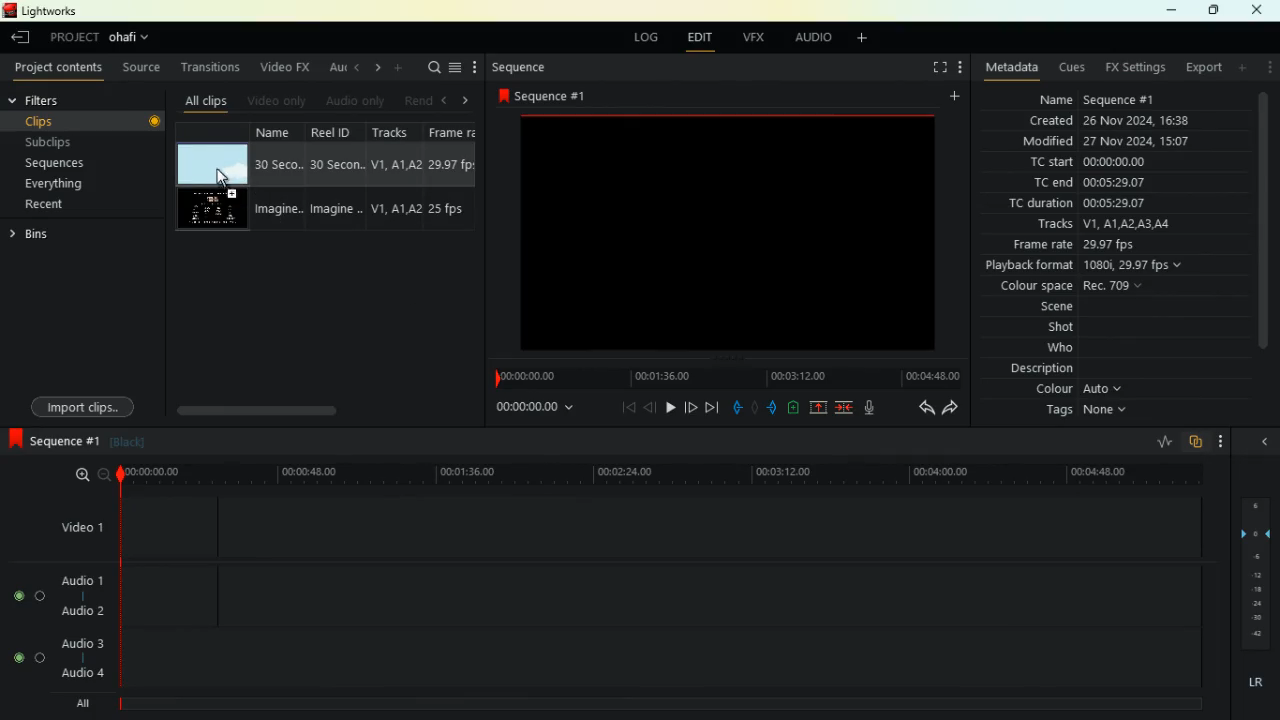 The width and height of the screenshot is (1280, 720). I want to click on 00:05:29.07, so click(1114, 182).